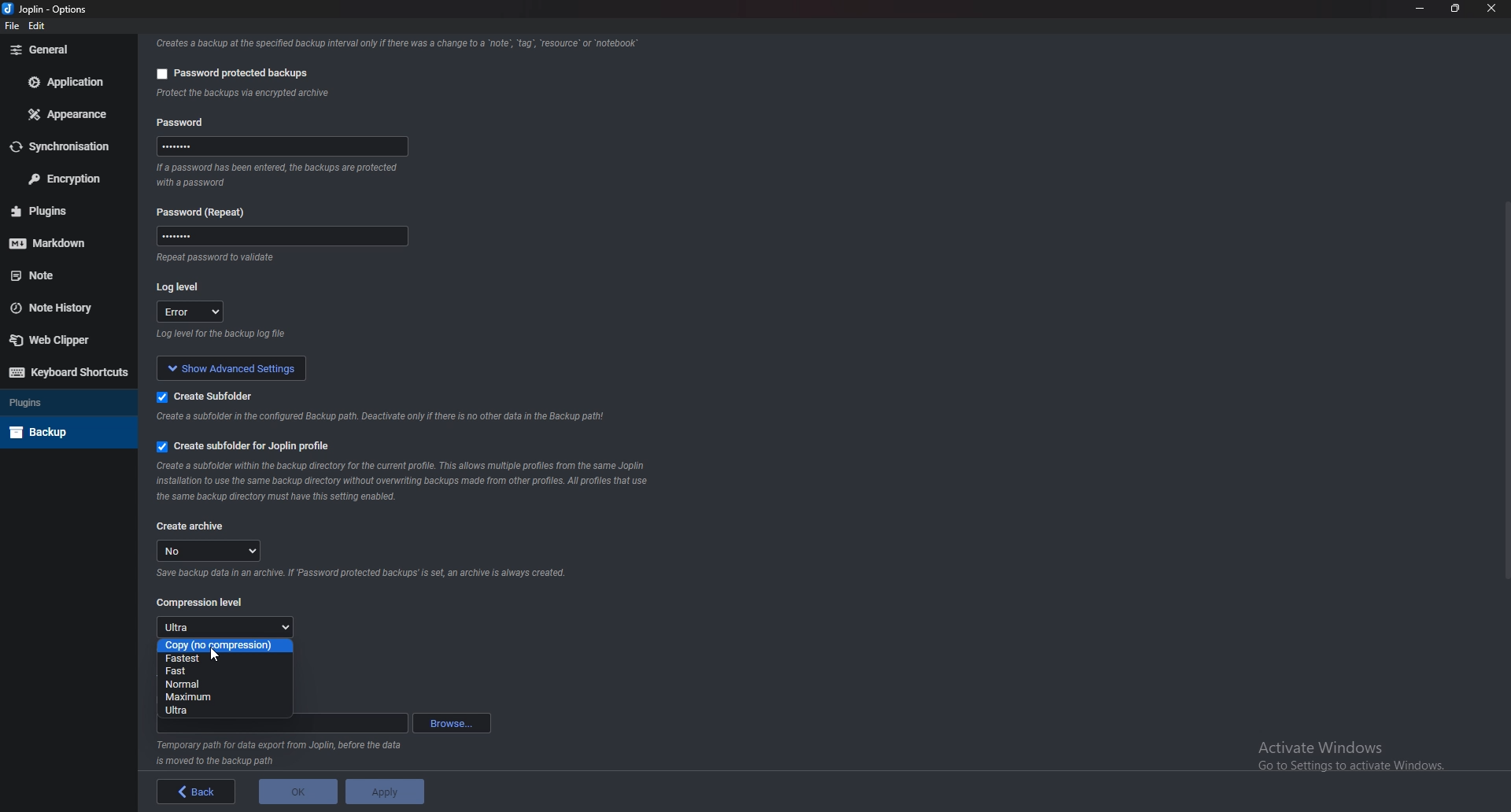 The height and width of the screenshot is (812, 1511). I want to click on path, so click(281, 727).